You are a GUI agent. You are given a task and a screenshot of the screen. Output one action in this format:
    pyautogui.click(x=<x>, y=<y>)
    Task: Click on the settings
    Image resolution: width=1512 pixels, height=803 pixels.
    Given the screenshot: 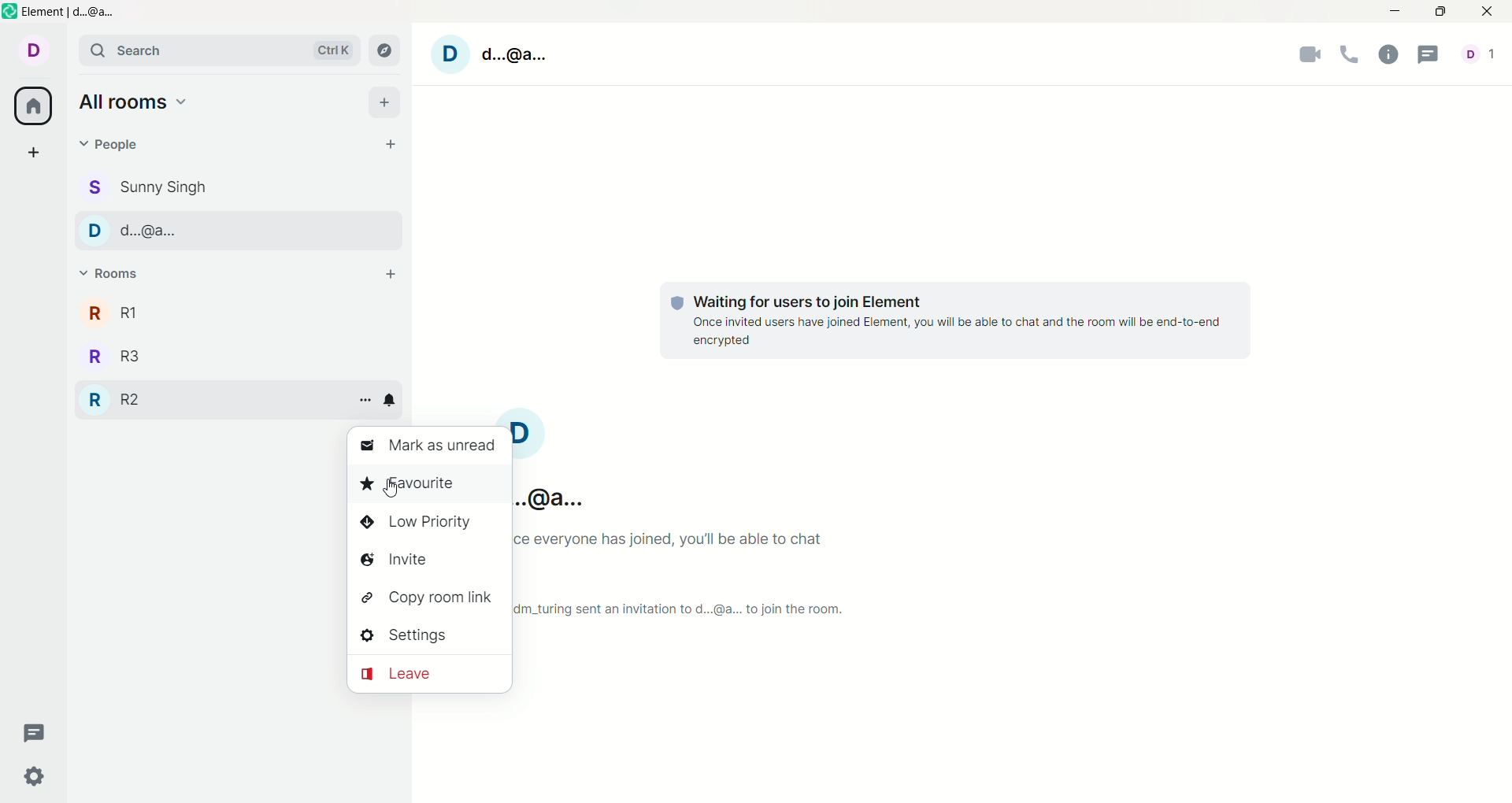 What is the action you would take?
    pyautogui.click(x=34, y=779)
    